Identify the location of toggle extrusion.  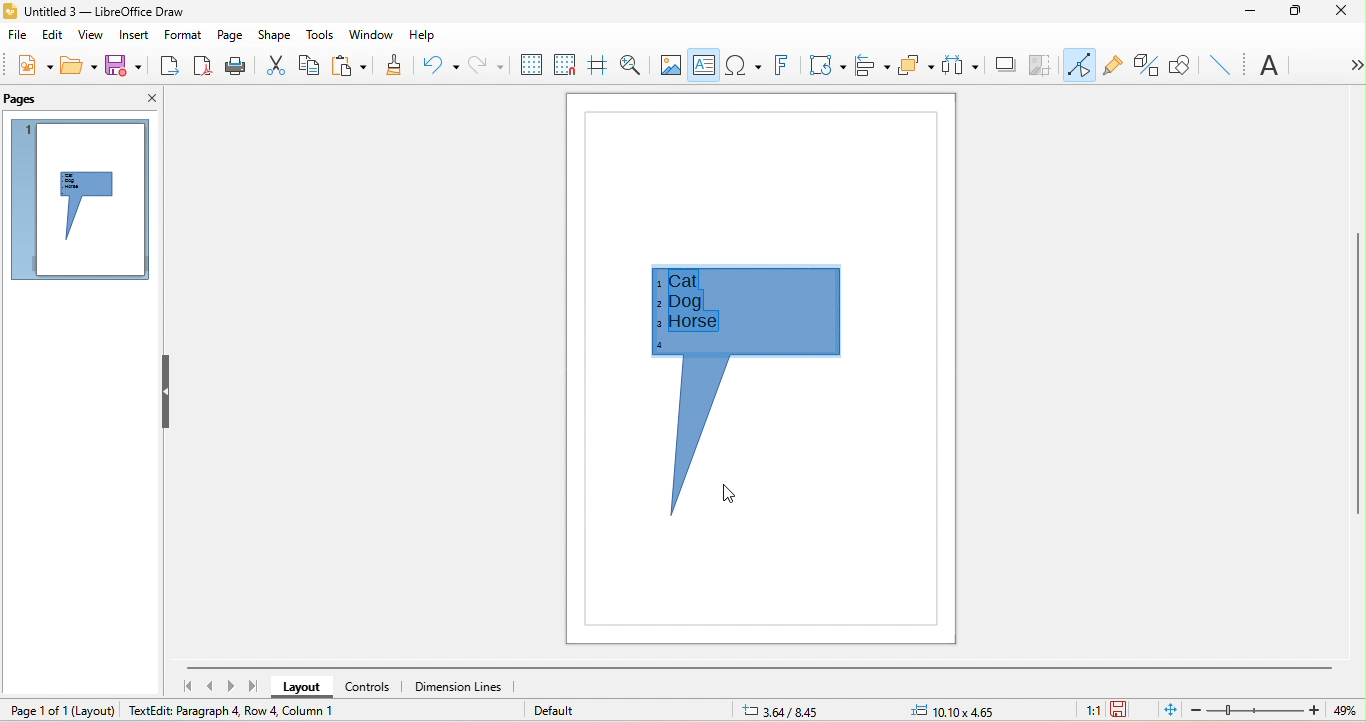
(1146, 66).